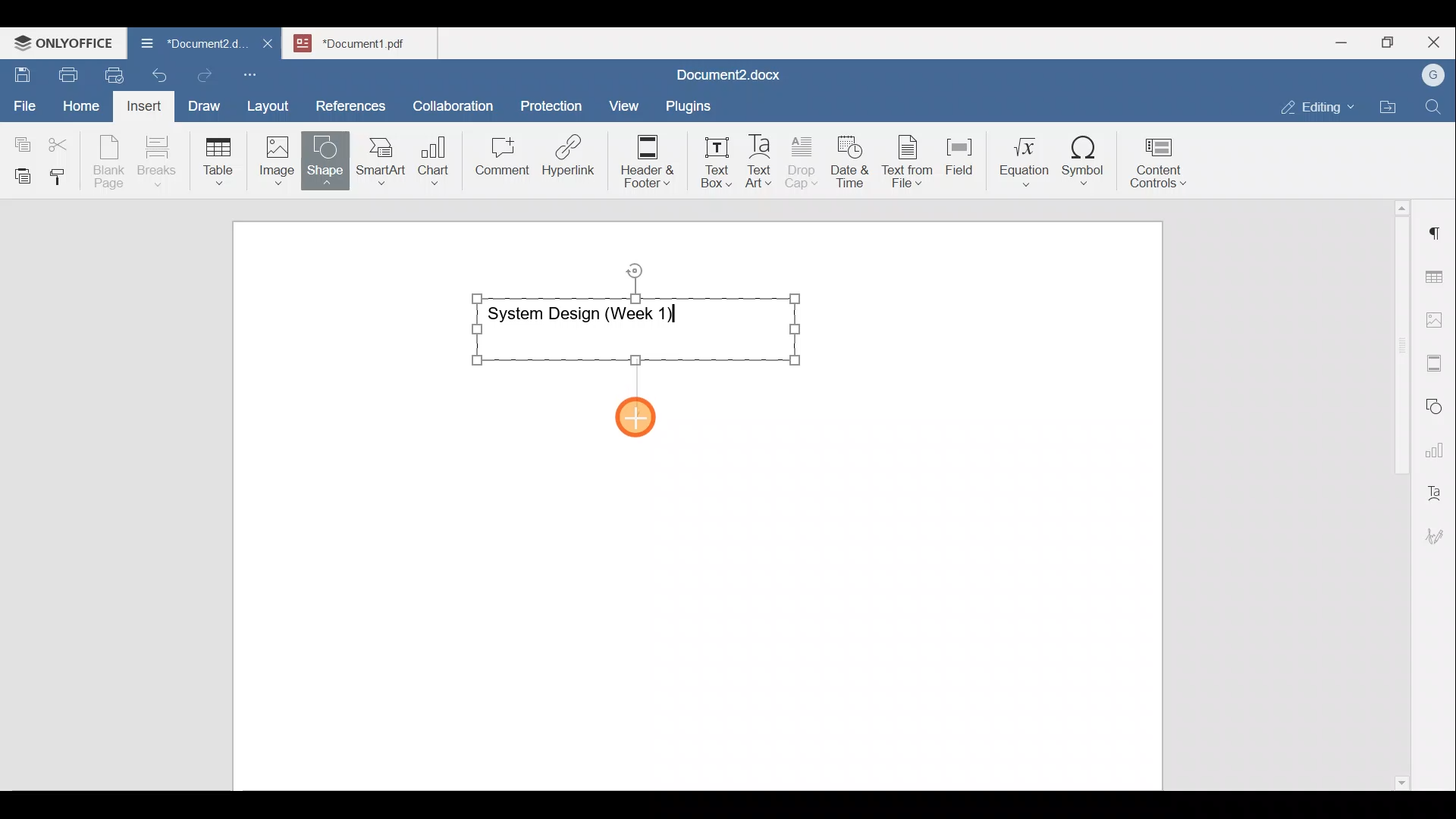 Image resolution: width=1456 pixels, height=819 pixels. What do you see at coordinates (1437, 359) in the screenshot?
I see `Headers & footers` at bounding box center [1437, 359].